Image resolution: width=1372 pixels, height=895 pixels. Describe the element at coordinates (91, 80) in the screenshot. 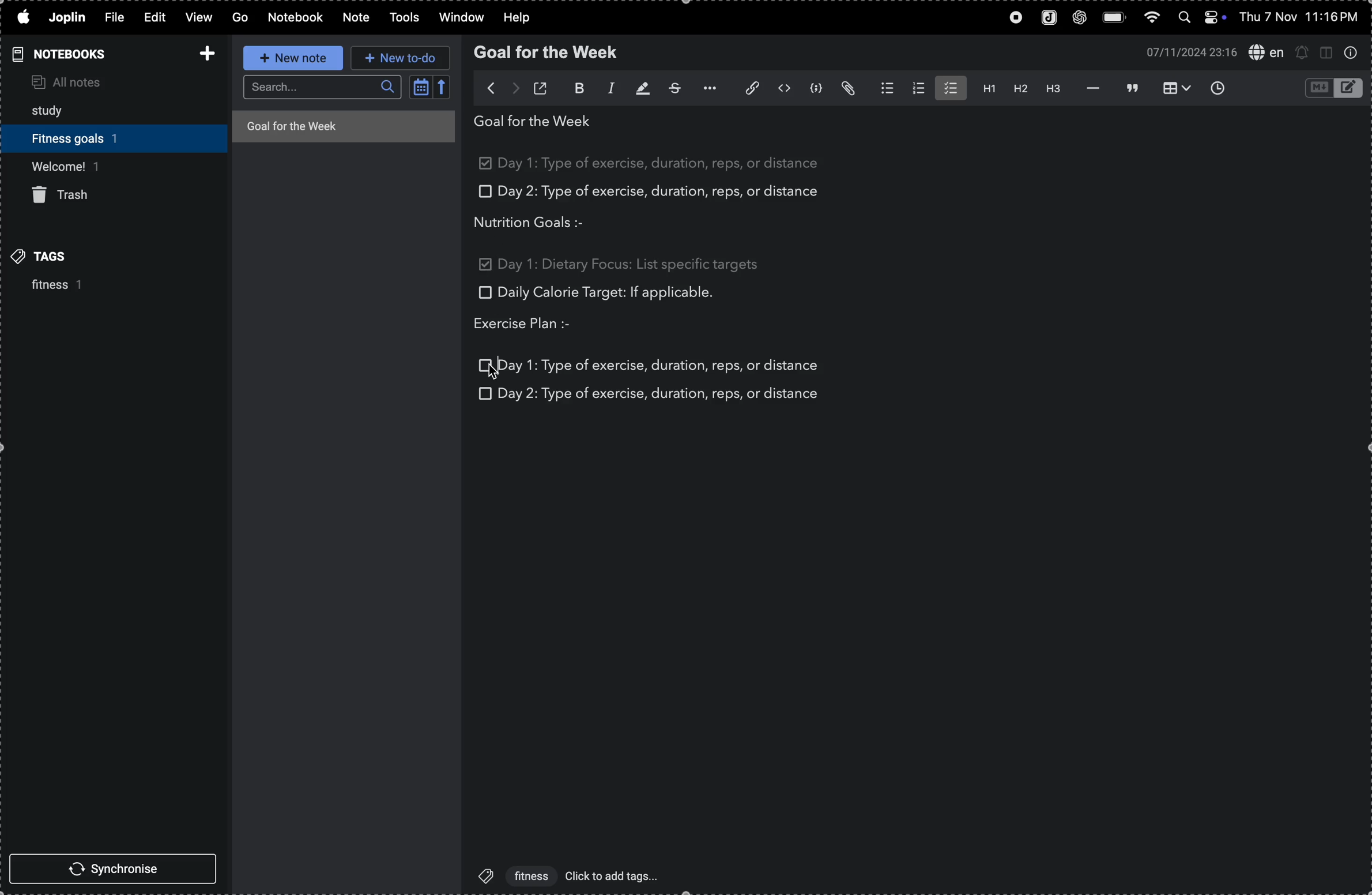

I see `all notes` at that location.